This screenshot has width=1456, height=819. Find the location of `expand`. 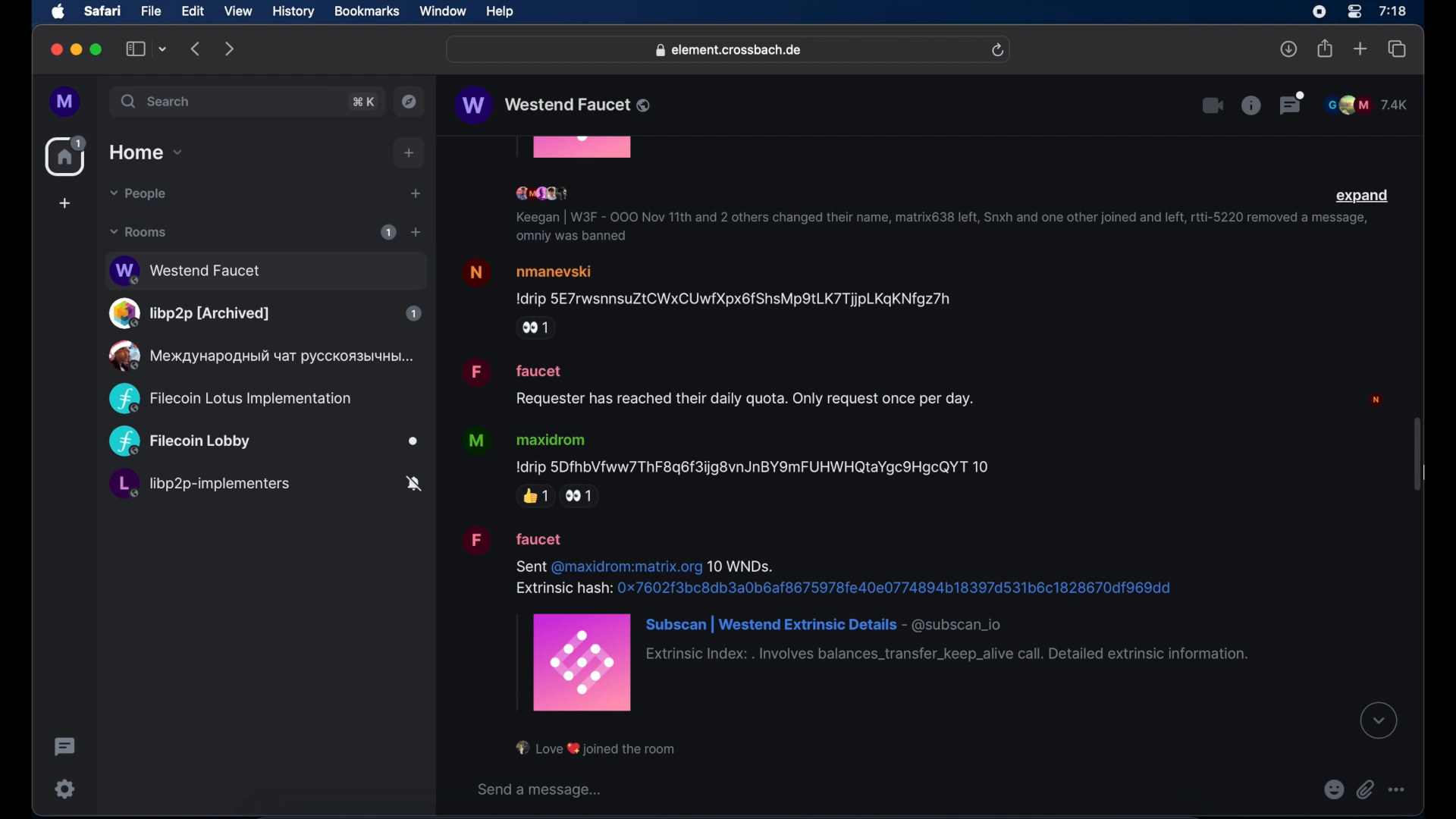

expand is located at coordinates (1363, 196).